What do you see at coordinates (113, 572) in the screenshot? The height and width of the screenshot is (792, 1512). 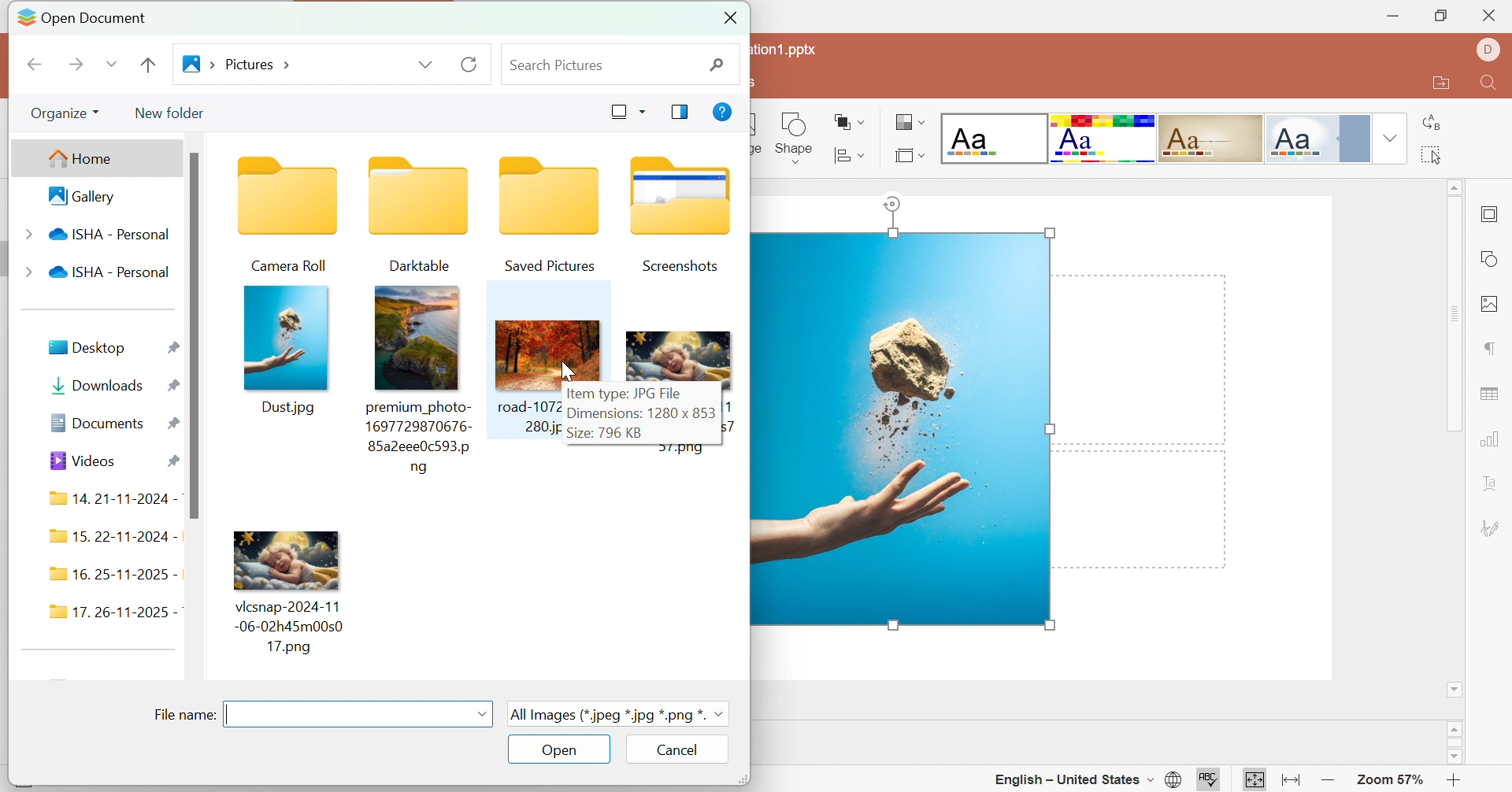 I see `16. 25 -11 - 2025` at bounding box center [113, 572].